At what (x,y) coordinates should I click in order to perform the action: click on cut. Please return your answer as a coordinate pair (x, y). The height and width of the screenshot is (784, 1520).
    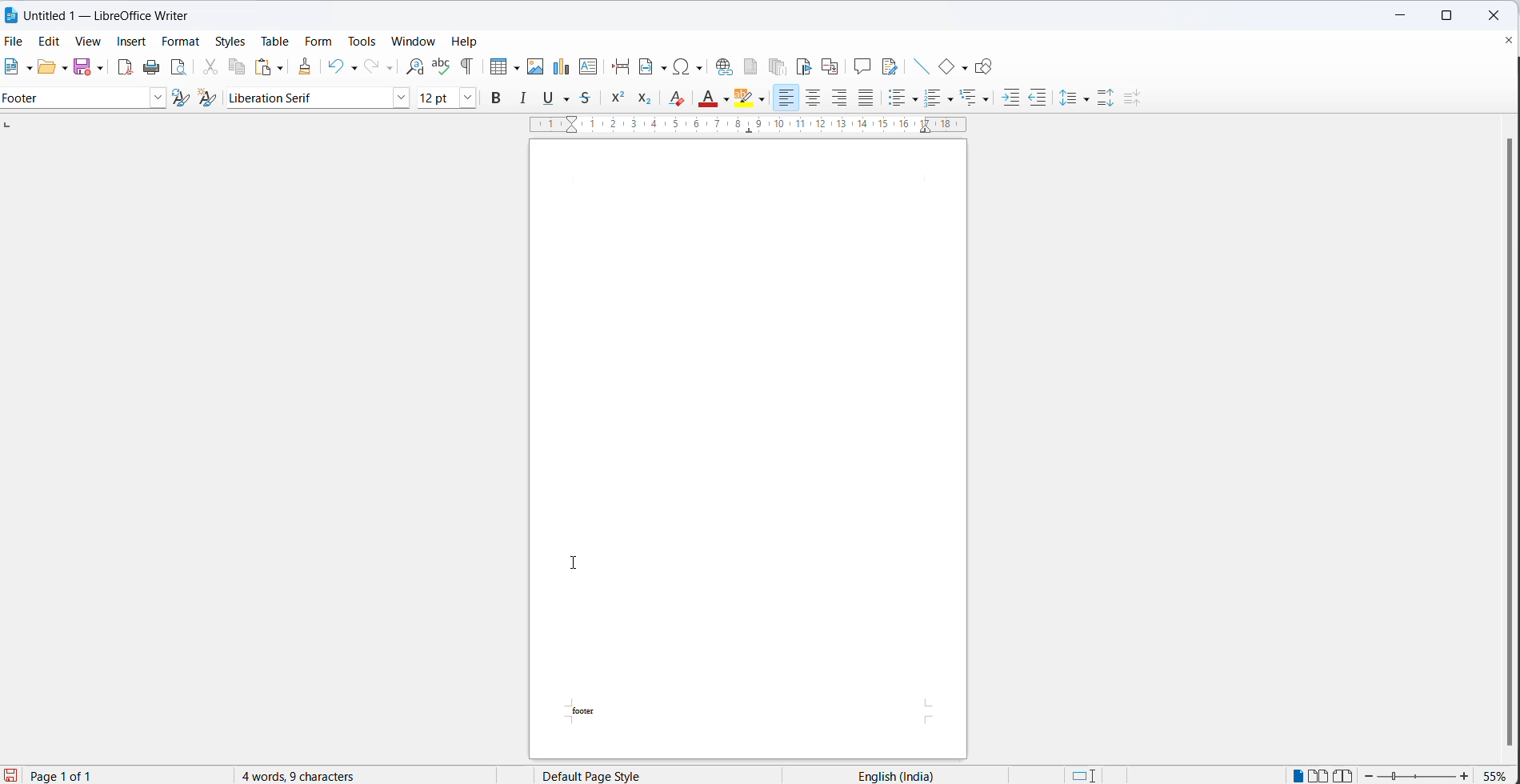
    Looking at the image, I should click on (212, 70).